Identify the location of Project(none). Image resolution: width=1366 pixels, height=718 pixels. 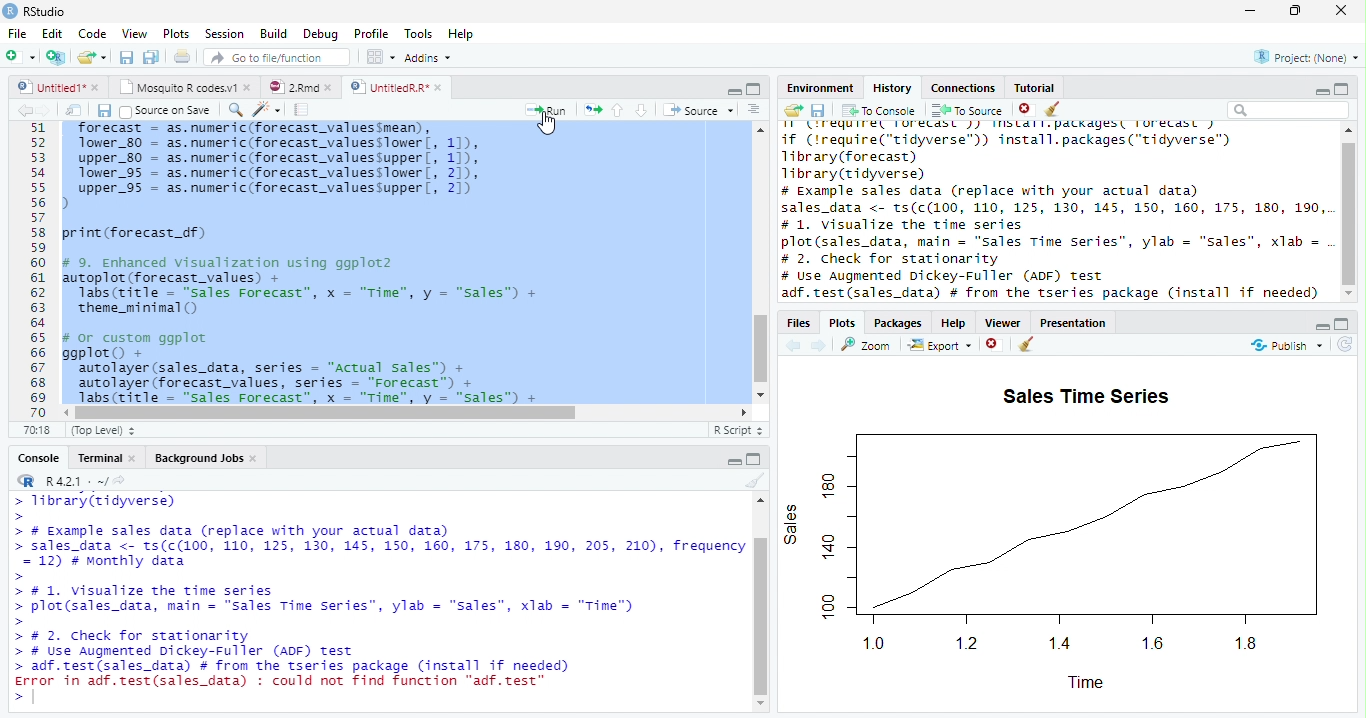
(1305, 56).